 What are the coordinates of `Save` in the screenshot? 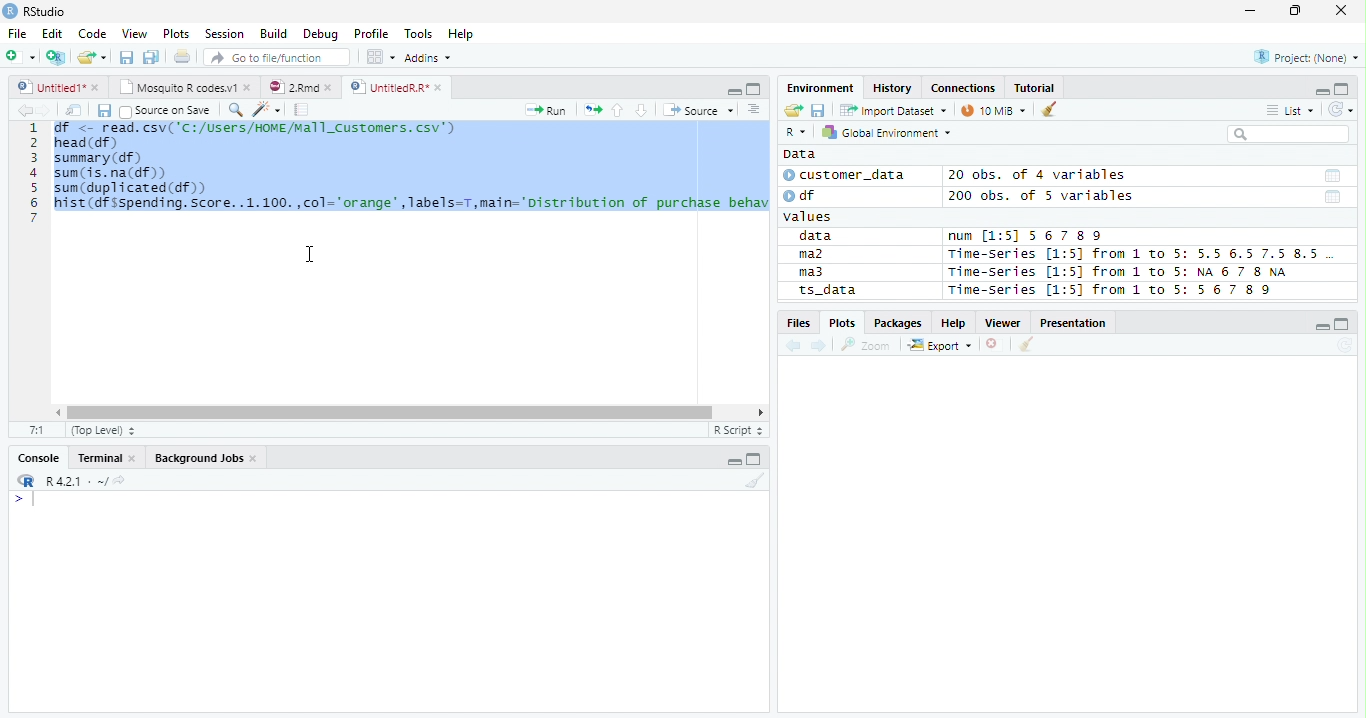 It's located at (103, 110).